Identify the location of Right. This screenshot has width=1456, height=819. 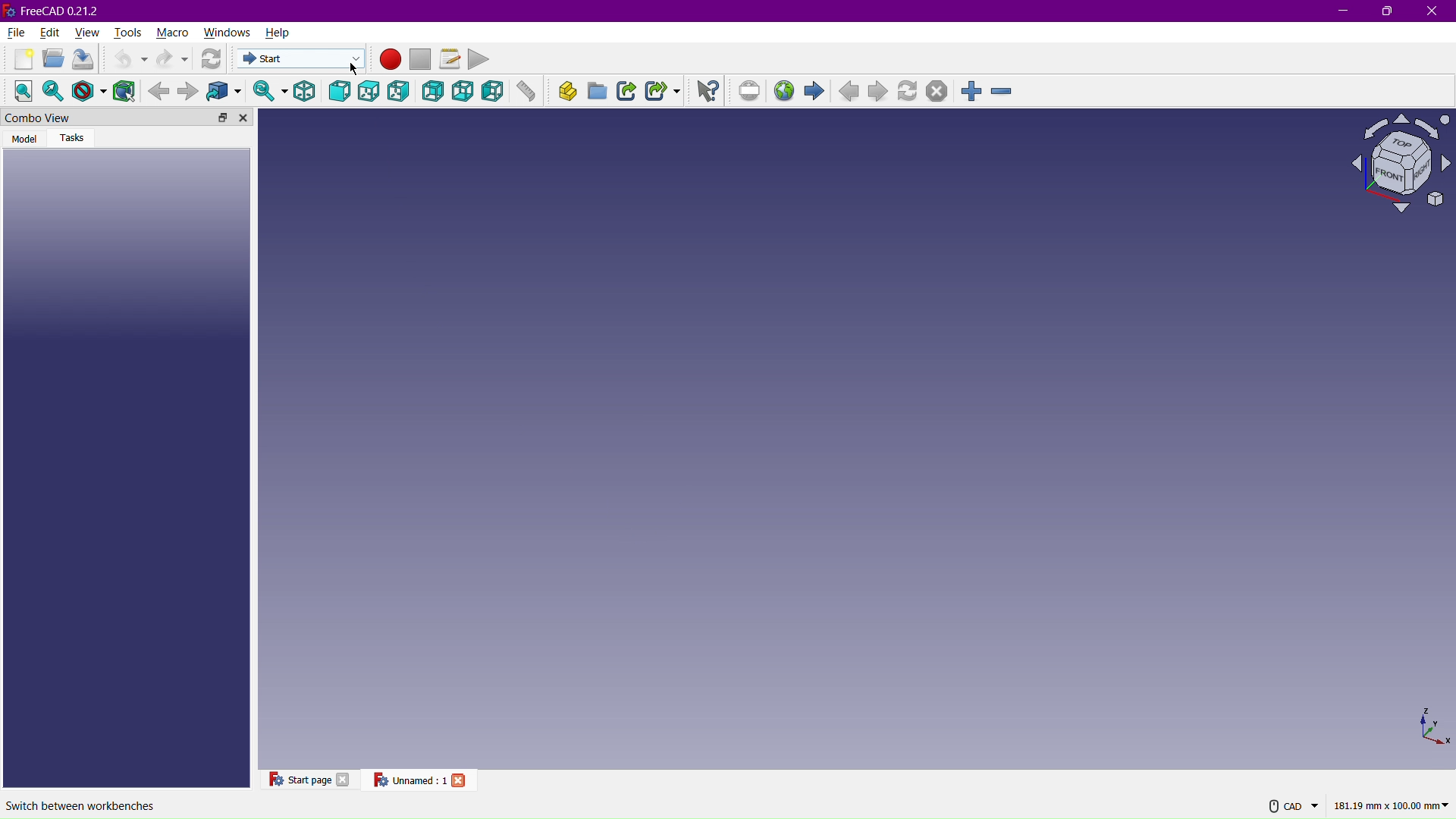
(400, 89).